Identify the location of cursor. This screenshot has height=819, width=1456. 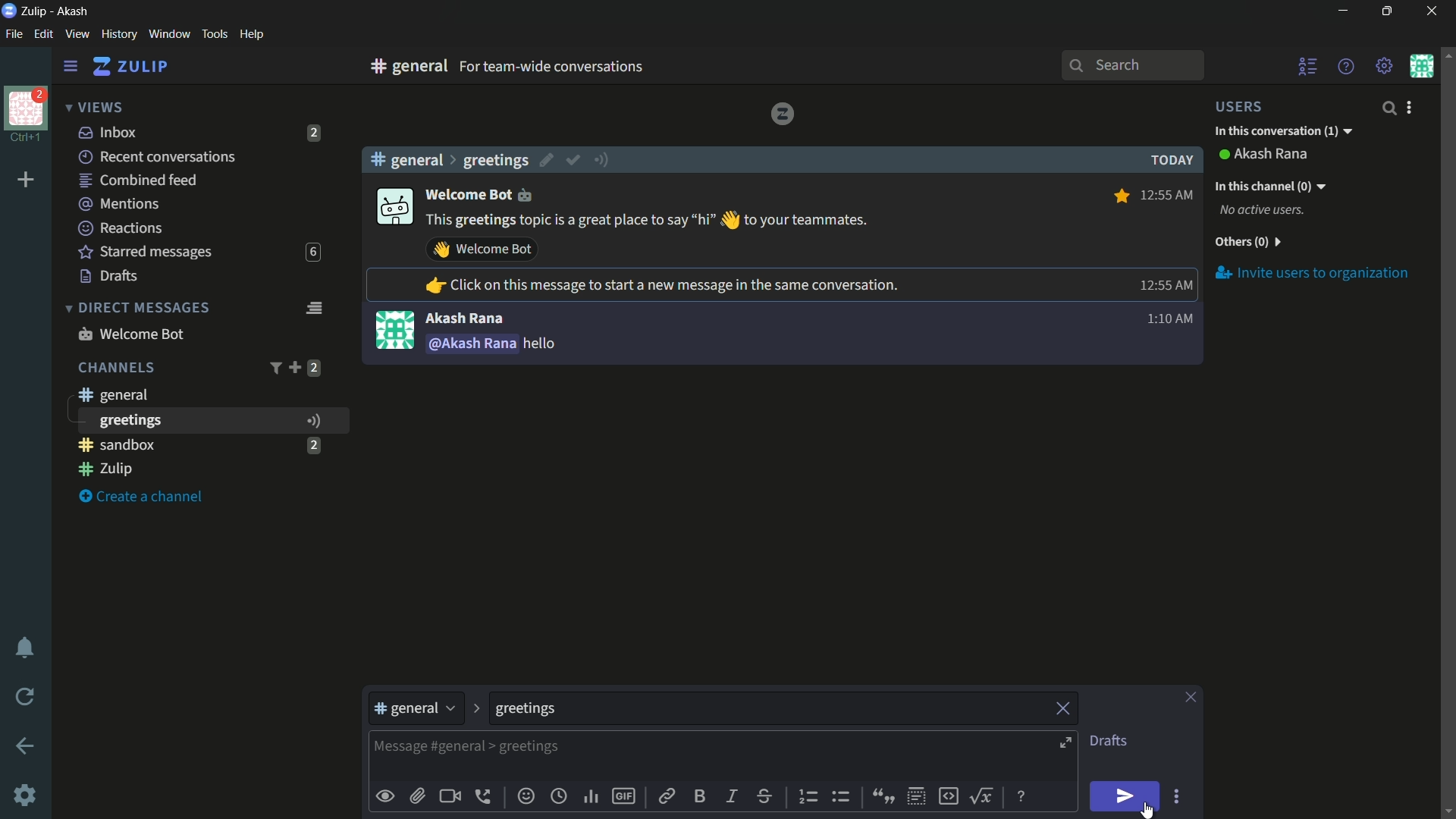
(1147, 810).